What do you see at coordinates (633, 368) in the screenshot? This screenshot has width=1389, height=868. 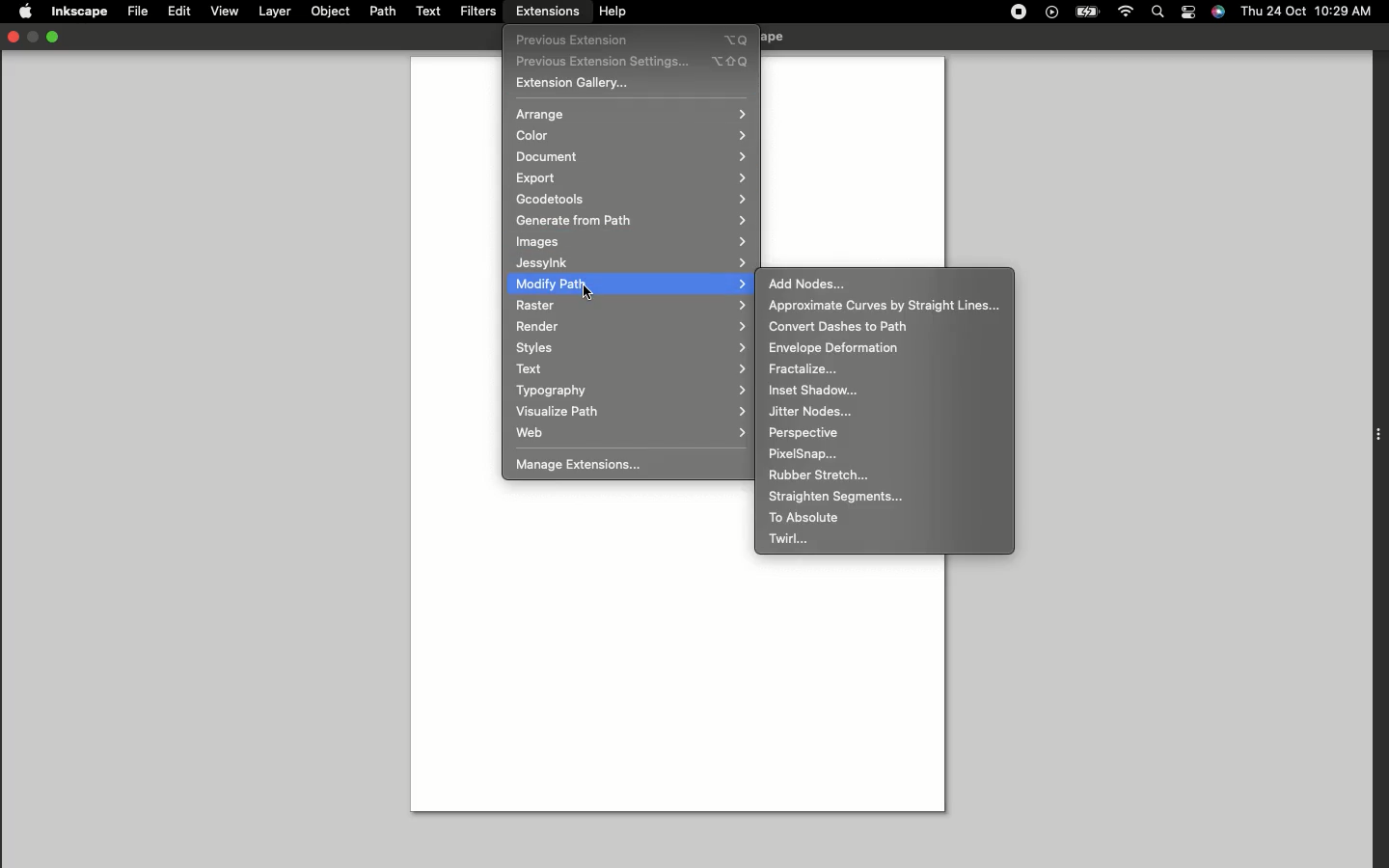 I see `Text` at bounding box center [633, 368].